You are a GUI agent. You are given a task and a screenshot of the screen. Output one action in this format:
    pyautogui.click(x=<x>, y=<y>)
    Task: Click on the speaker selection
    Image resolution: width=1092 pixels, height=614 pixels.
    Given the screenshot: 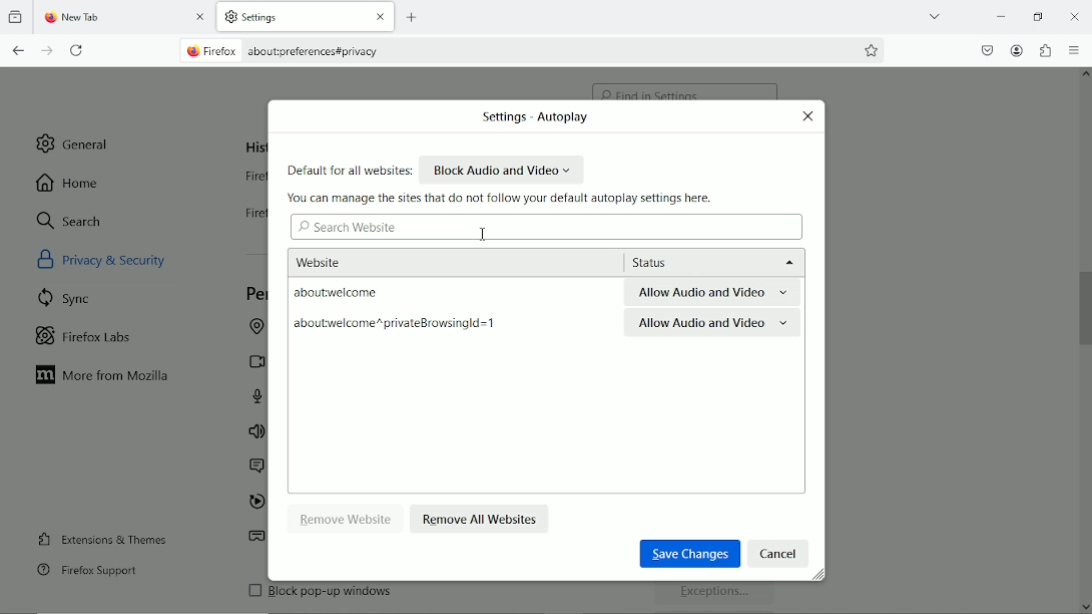 What is the action you would take?
    pyautogui.click(x=256, y=433)
    